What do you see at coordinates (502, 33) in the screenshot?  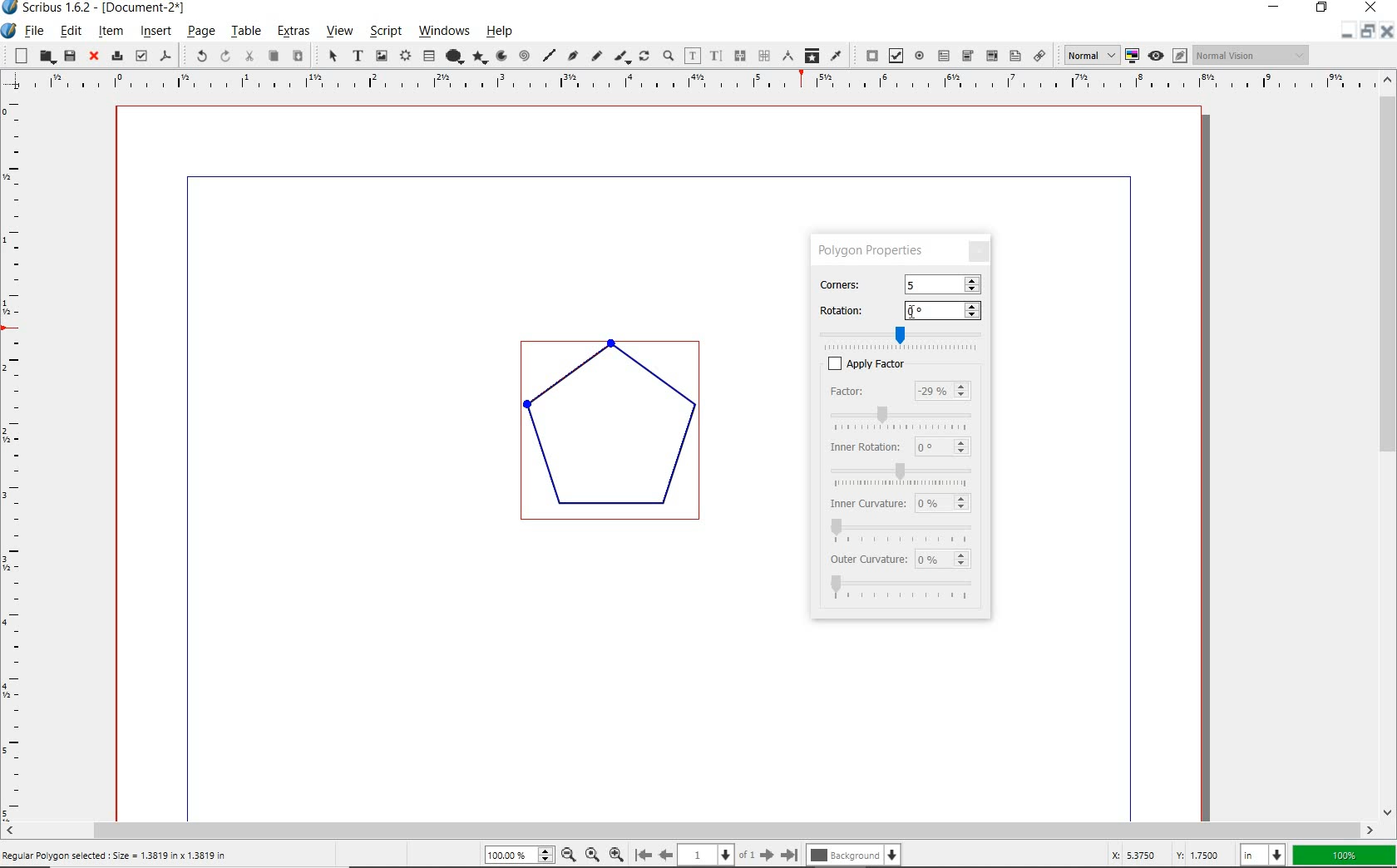 I see `help` at bounding box center [502, 33].